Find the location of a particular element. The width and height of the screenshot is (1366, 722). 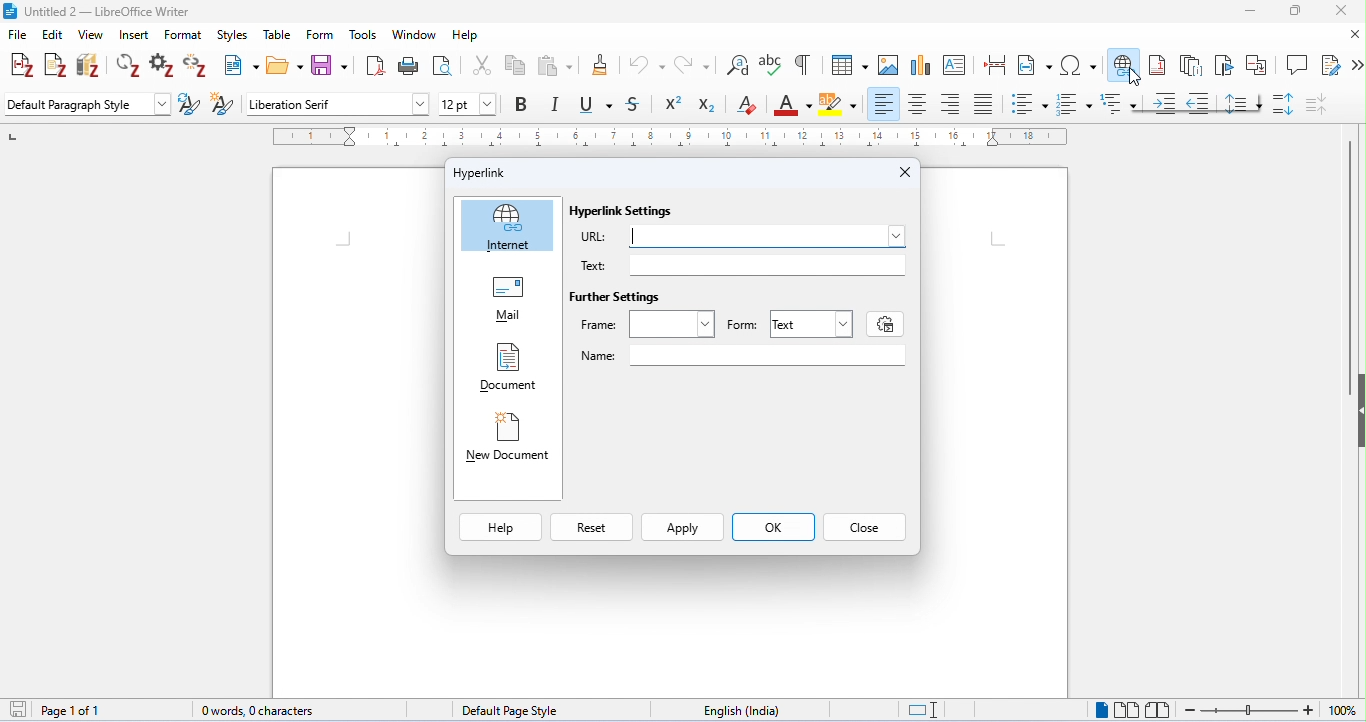

align right is located at coordinates (952, 103).